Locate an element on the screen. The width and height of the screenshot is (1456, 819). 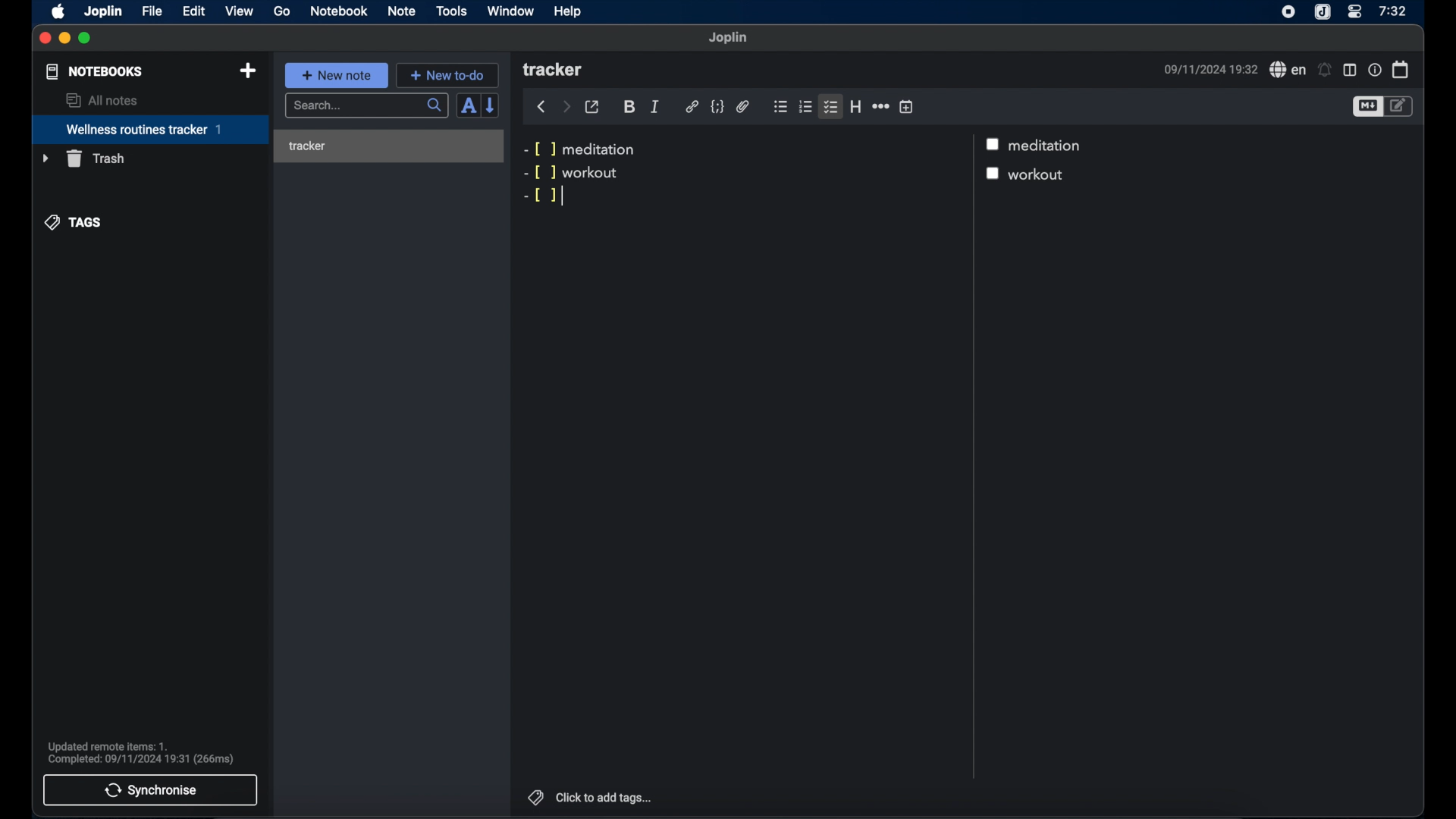
workout is located at coordinates (1041, 175).